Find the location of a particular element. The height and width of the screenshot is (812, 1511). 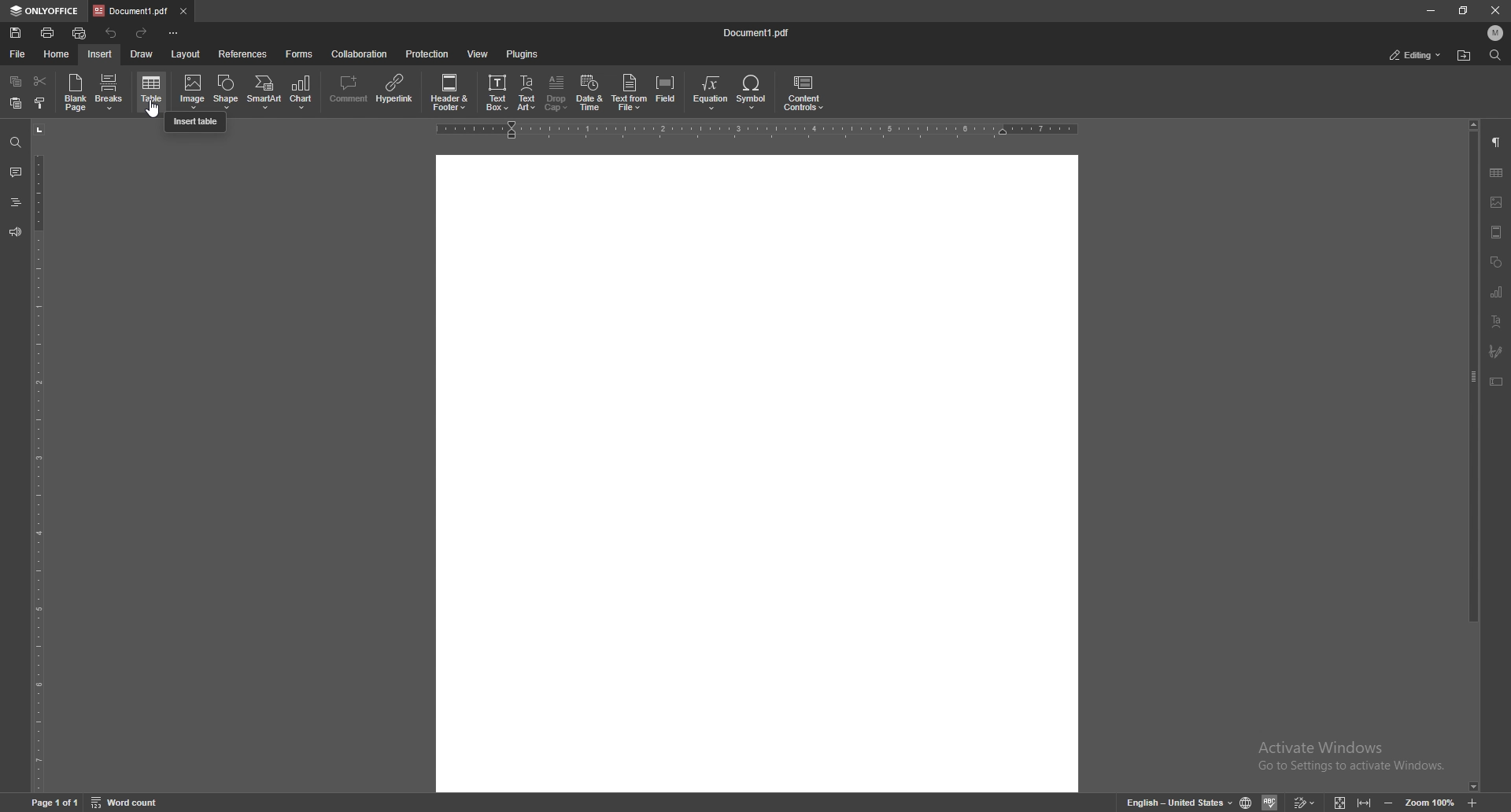

fit to screen is located at coordinates (1343, 801).